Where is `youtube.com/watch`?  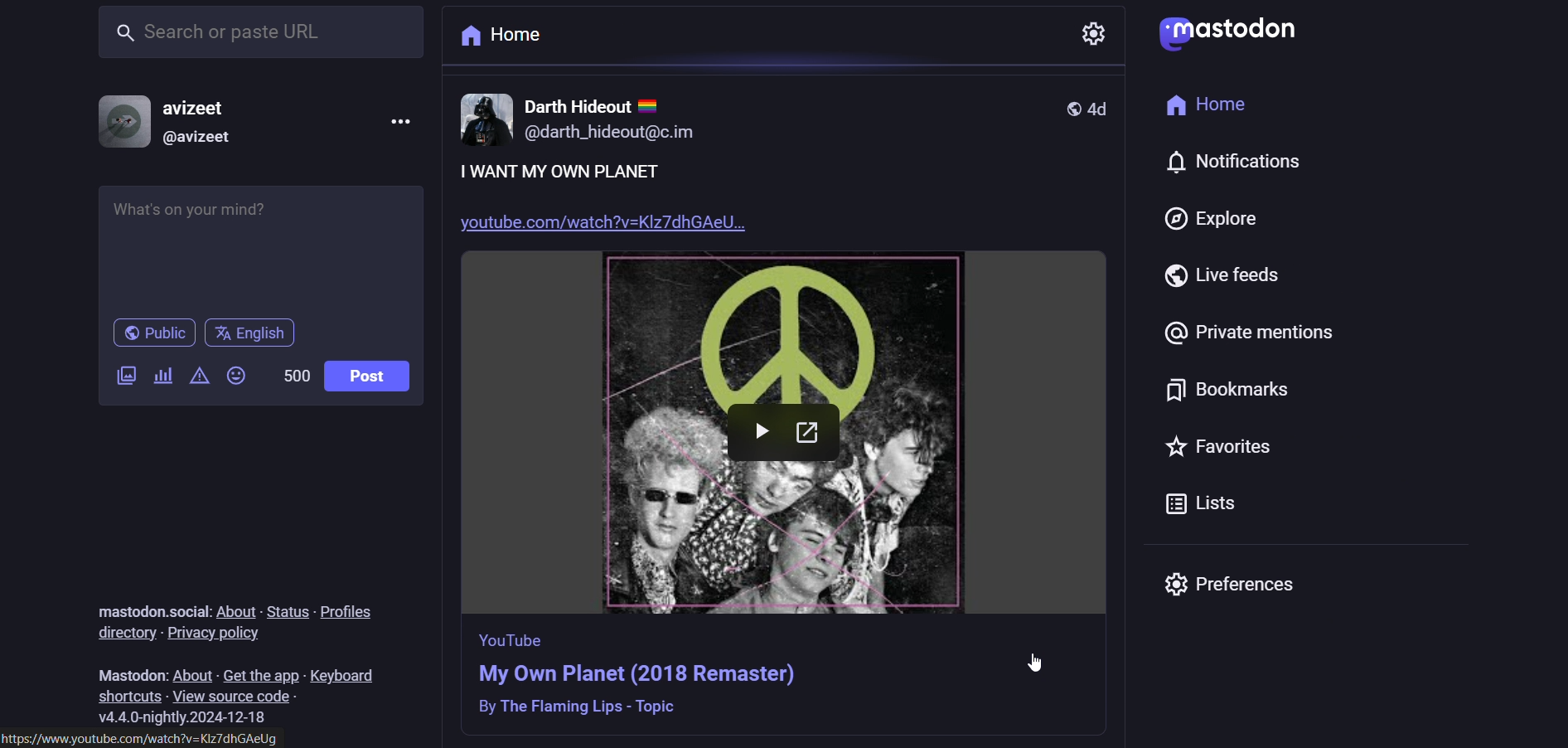
youtube.com/watch is located at coordinates (601, 221).